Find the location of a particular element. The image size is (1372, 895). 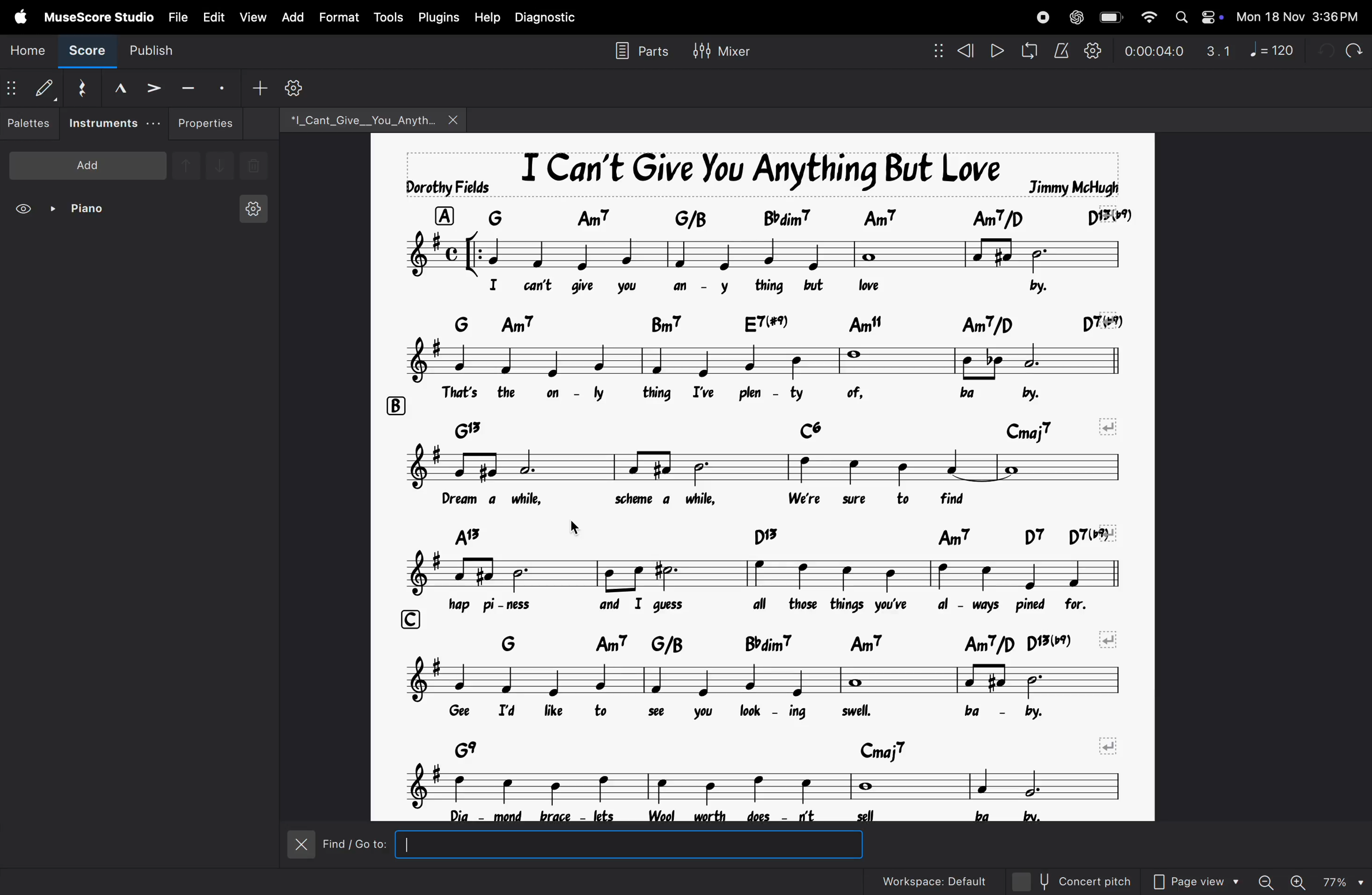

zoom percentage is located at coordinates (1344, 882).